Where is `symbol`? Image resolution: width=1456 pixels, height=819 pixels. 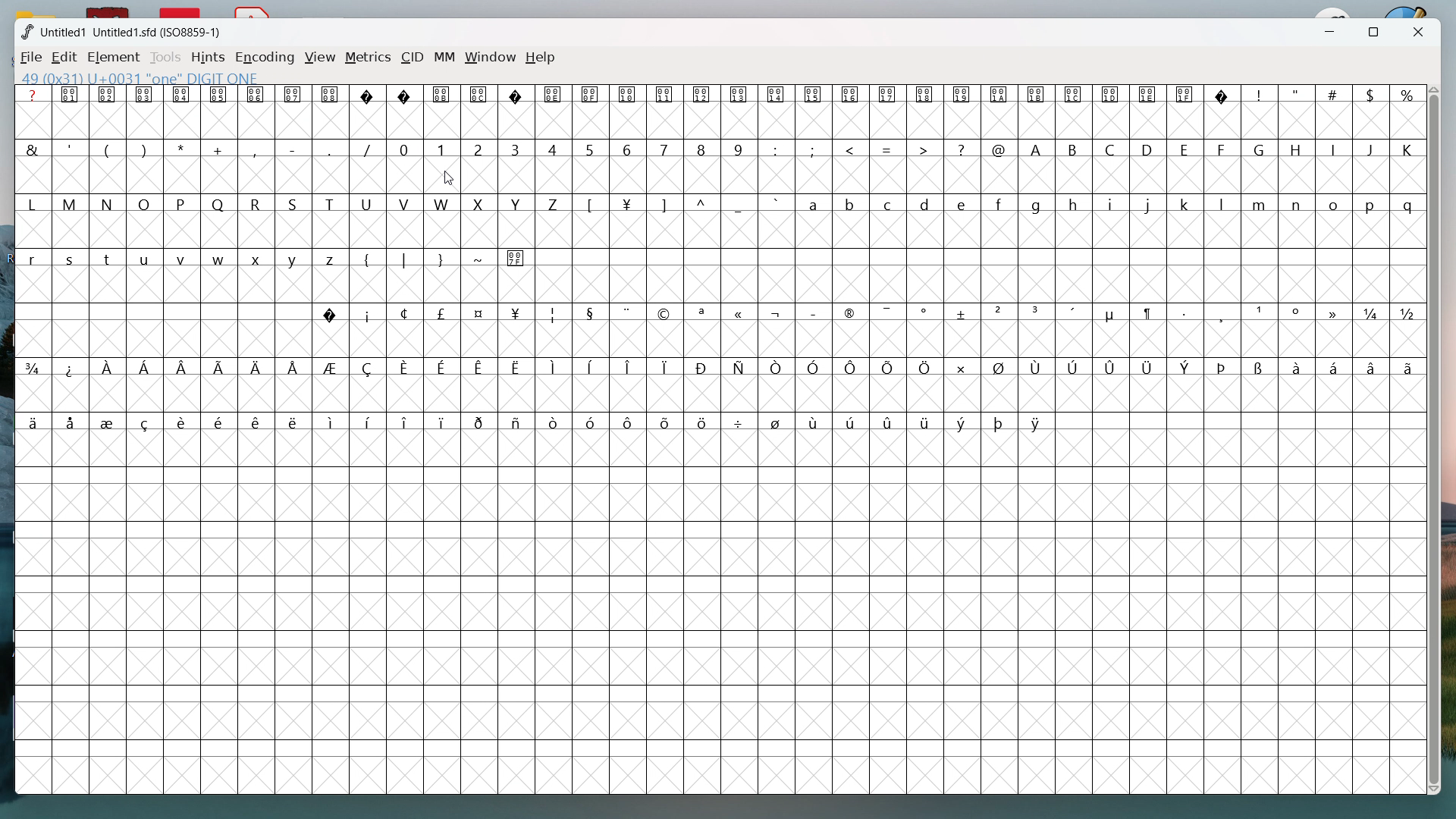 symbol is located at coordinates (1294, 366).